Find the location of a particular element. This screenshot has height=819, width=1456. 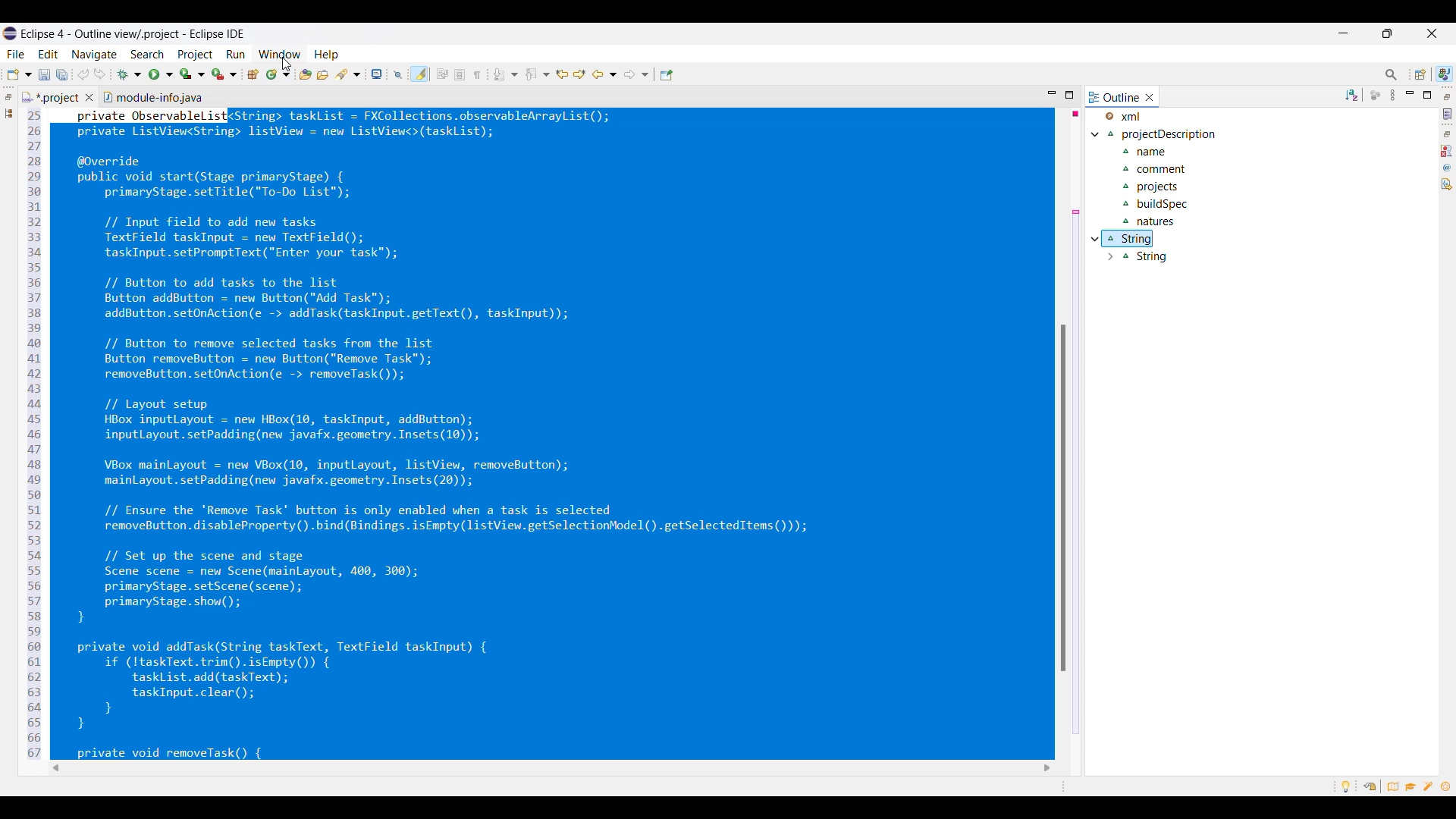

Overview is located at coordinates (1393, 786).